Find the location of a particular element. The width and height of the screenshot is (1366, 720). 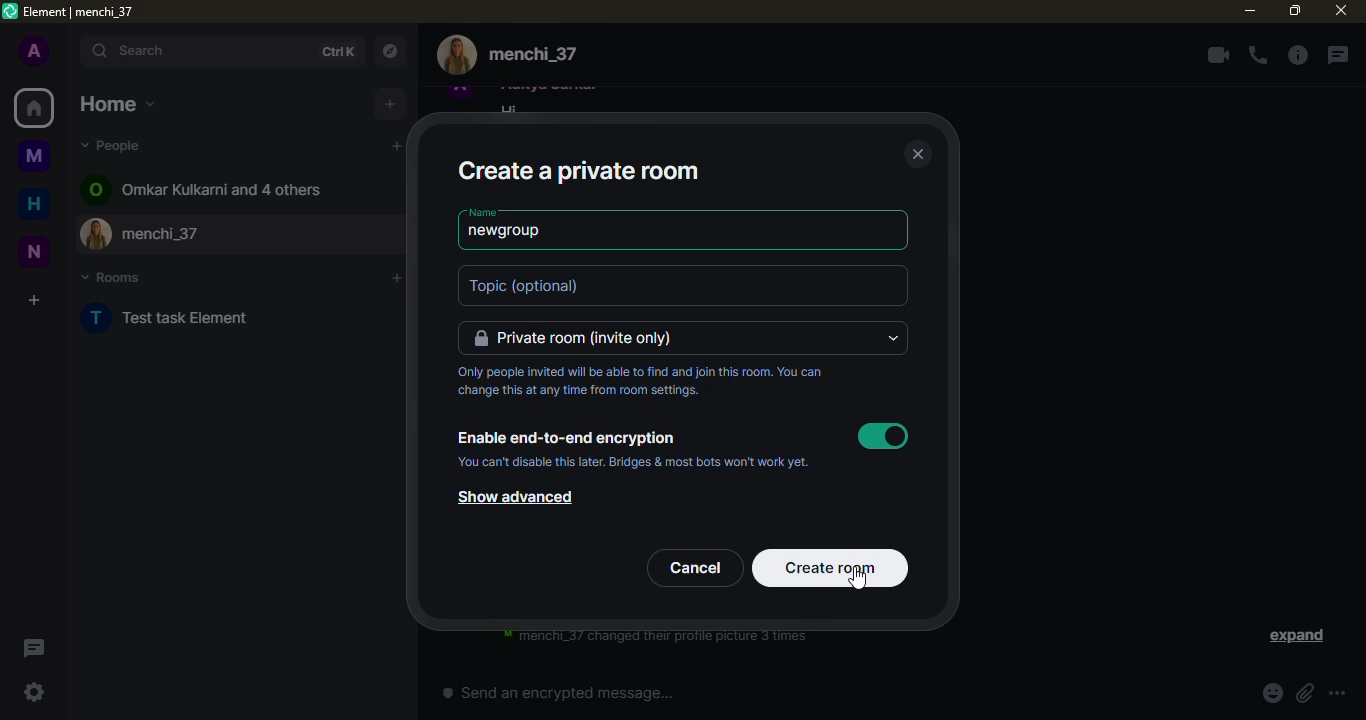

Profile initials is located at coordinates (95, 189).